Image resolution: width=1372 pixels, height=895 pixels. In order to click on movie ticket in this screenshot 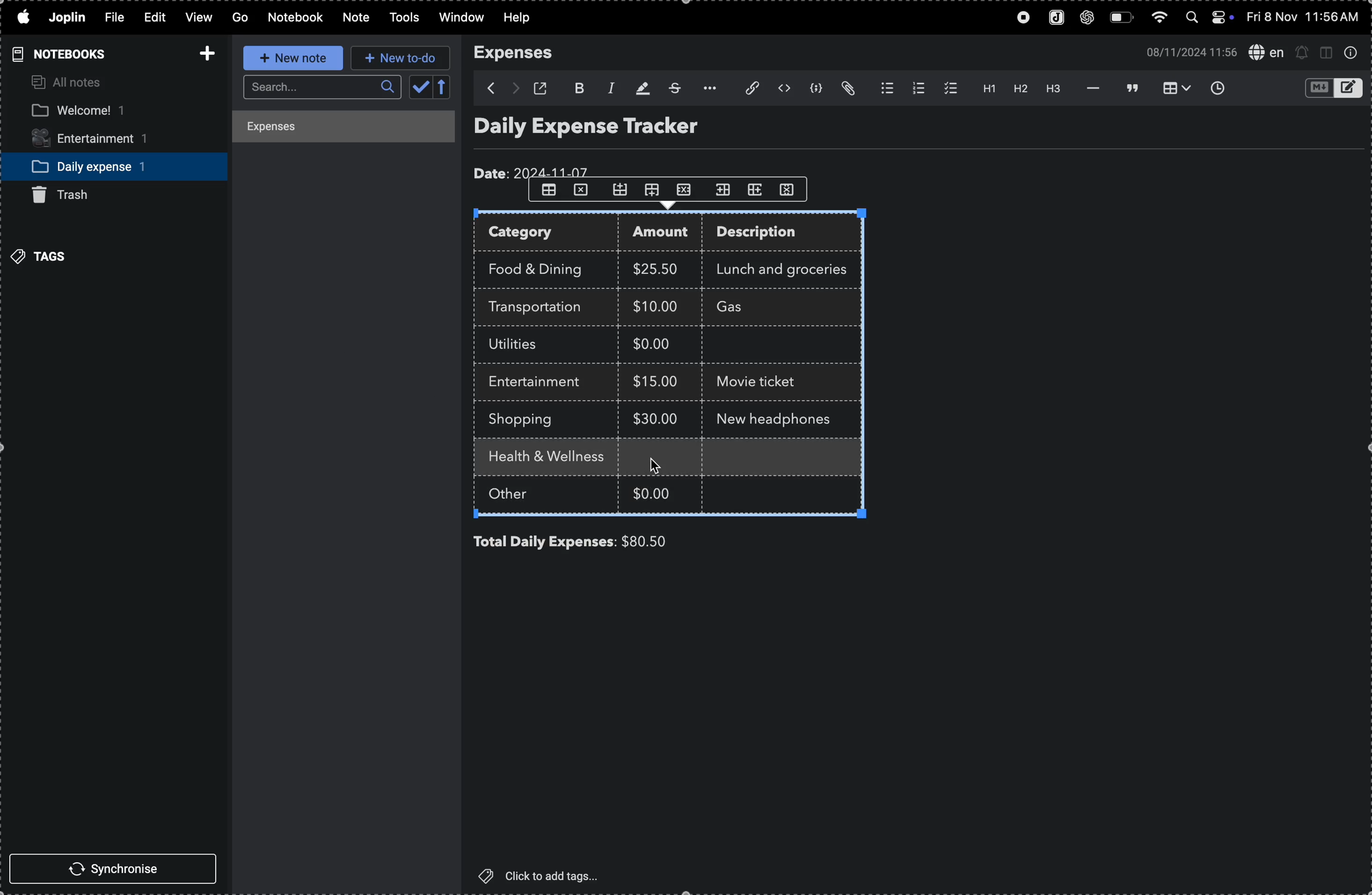, I will do `click(761, 383)`.